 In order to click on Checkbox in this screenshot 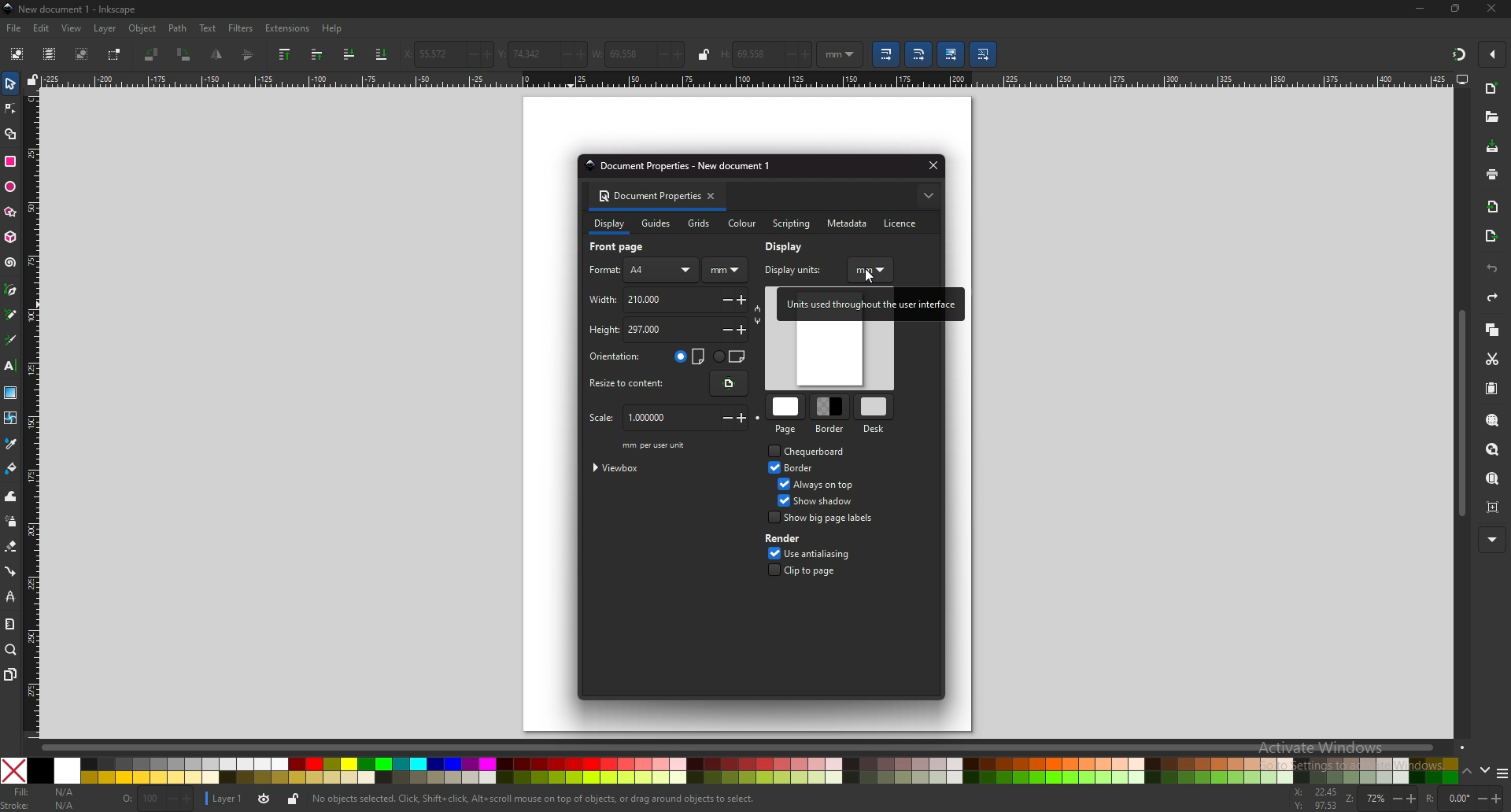, I will do `click(770, 450)`.